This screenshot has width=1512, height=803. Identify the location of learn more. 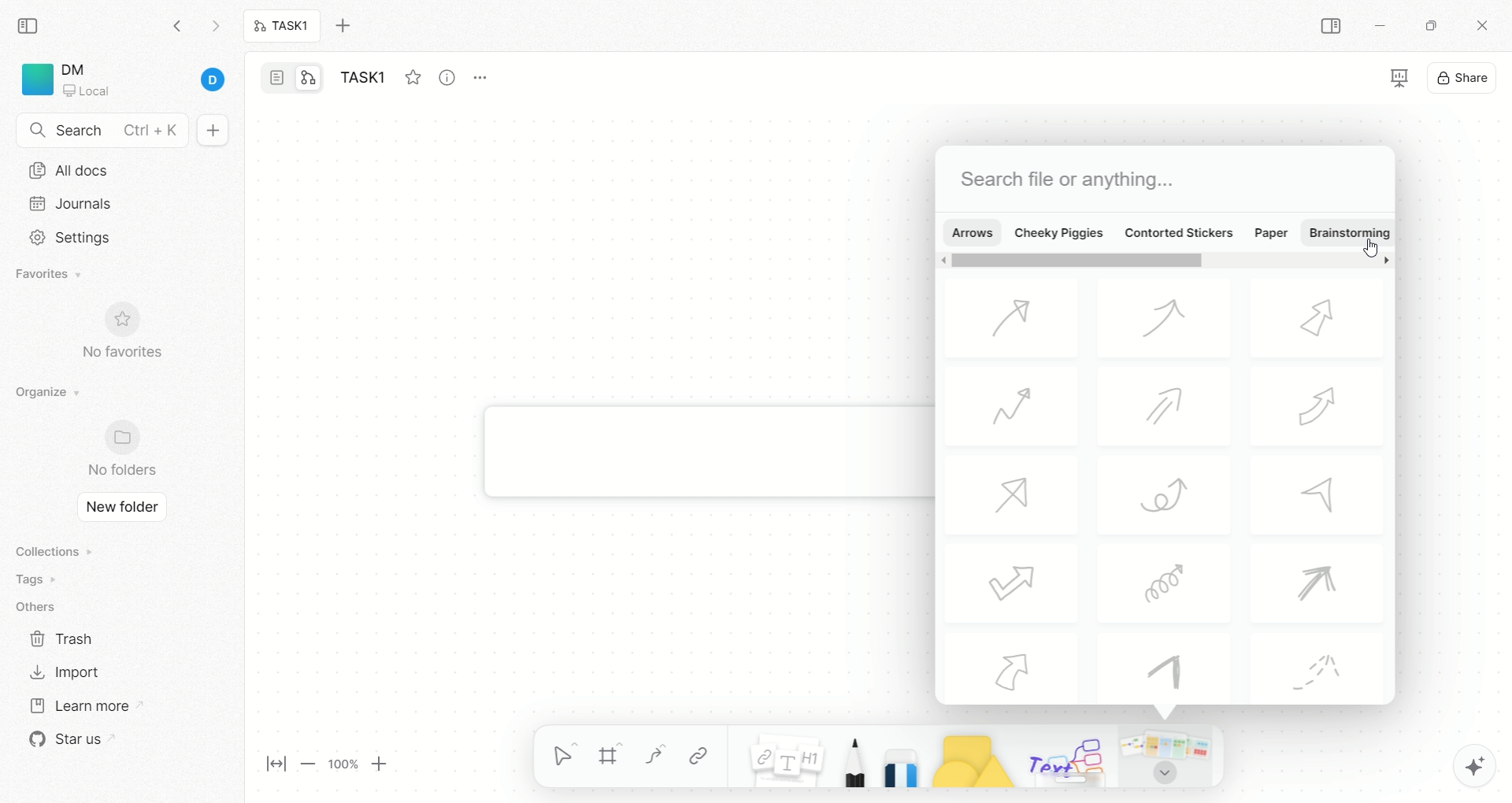
(78, 704).